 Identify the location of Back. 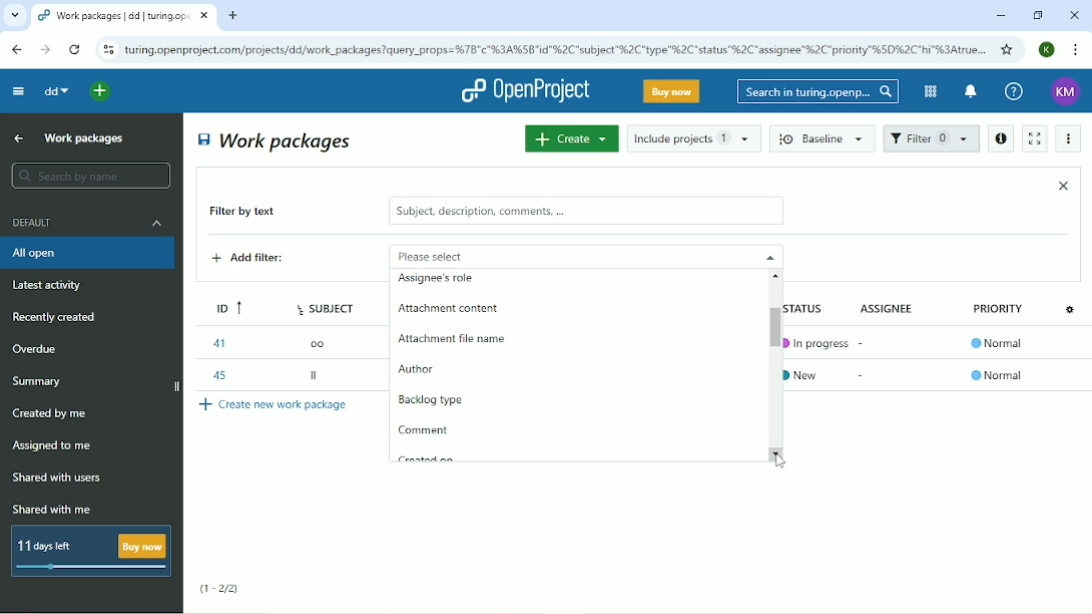
(16, 49).